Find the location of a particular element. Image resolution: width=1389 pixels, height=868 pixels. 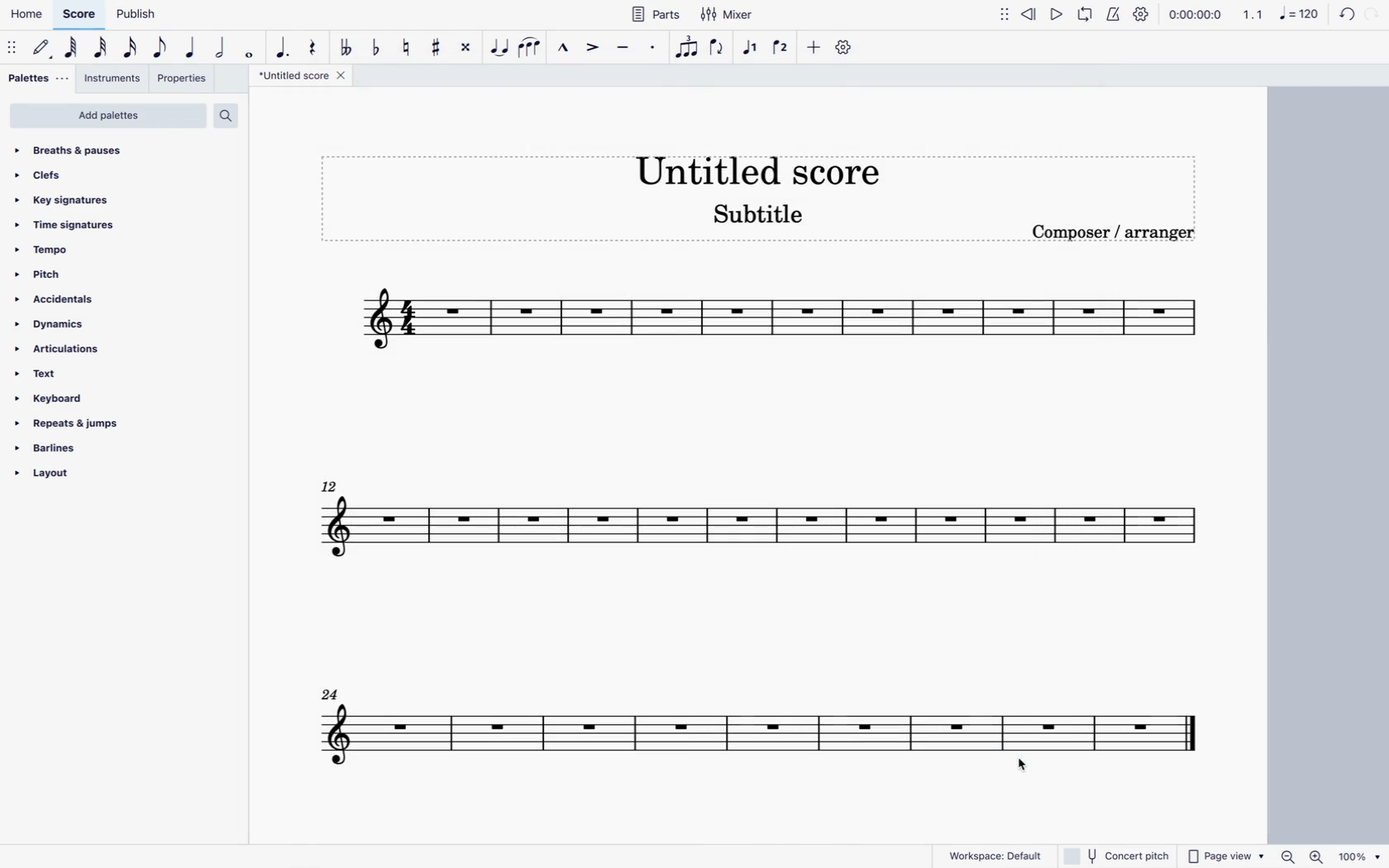

timeframe is located at coordinates (1200, 16).